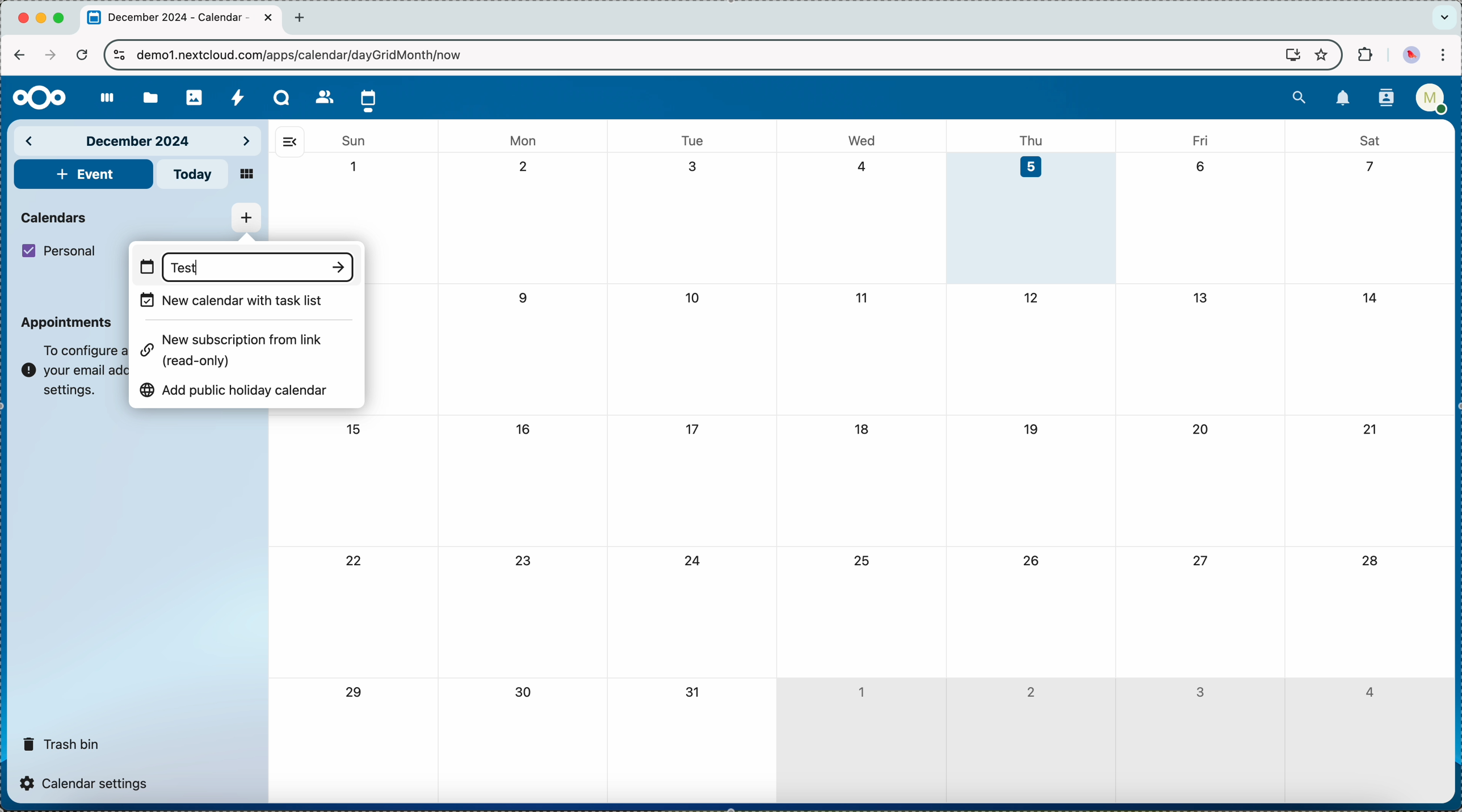  Describe the element at coordinates (692, 140) in the screenshot. I see `tue` at that location.